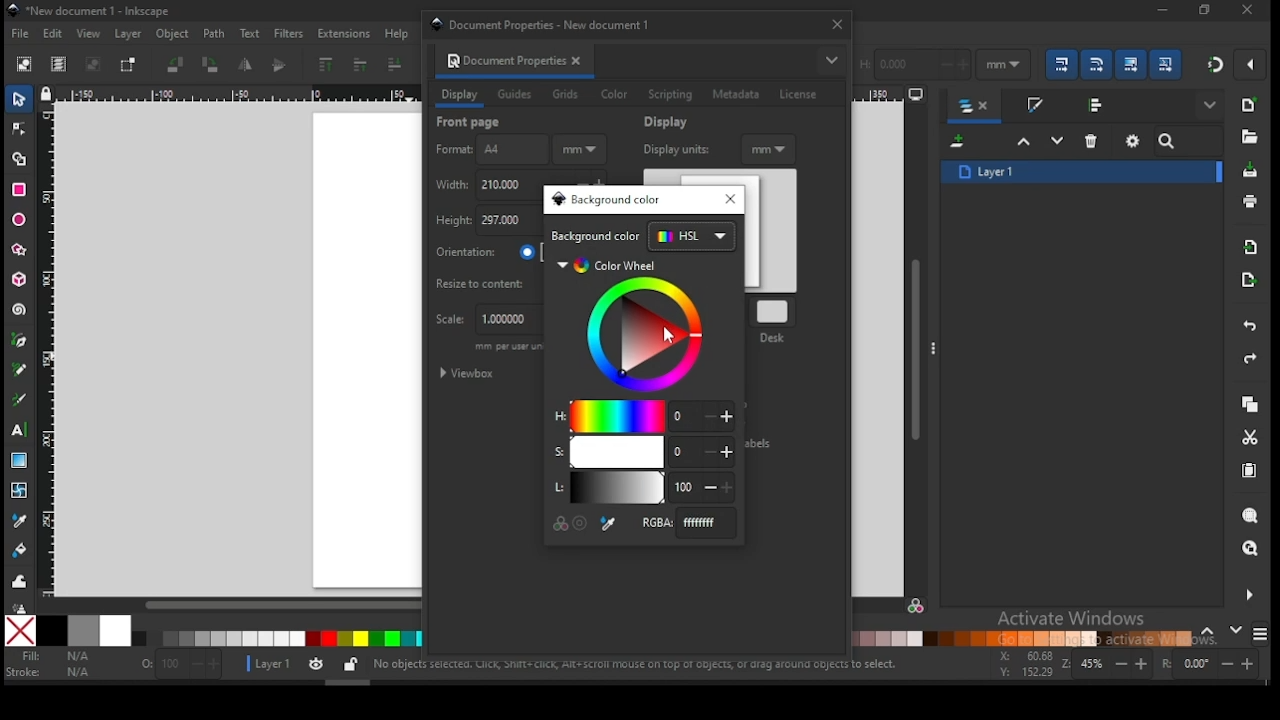 This screenshot has width=1280, height=720. I want to click on scripting, so click(669, 95).